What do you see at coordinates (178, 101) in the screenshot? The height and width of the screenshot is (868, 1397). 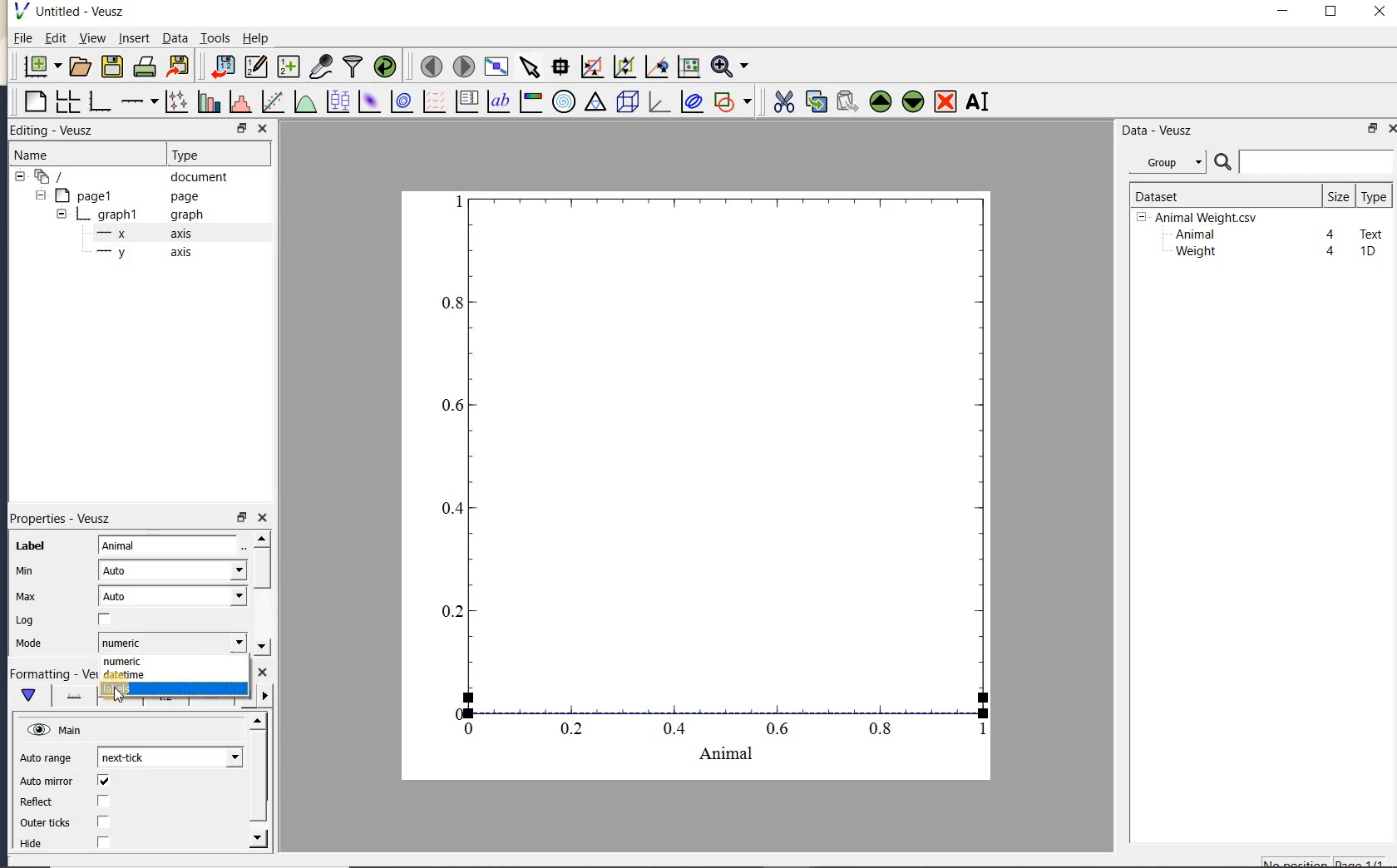 I see `plot points with lines and errorbars` at bounding box center [178, 101].